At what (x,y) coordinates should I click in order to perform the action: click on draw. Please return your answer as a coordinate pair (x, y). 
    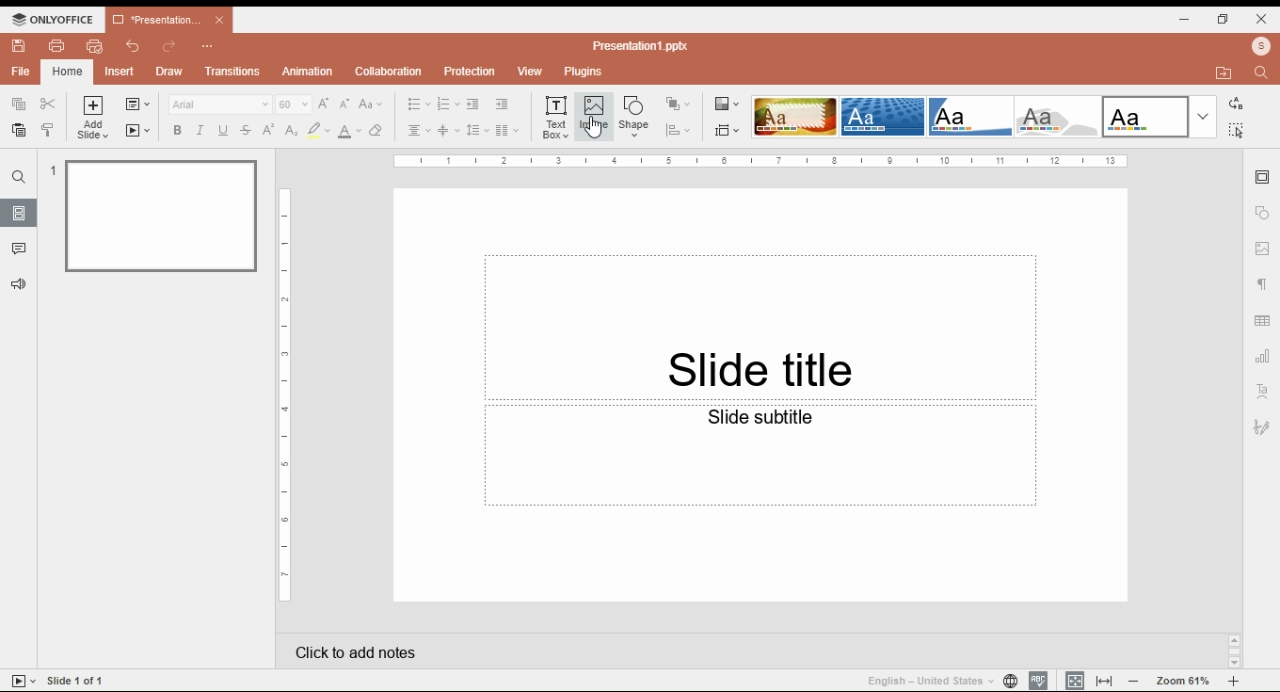
    Looking at the image, I should click on (170, 72).